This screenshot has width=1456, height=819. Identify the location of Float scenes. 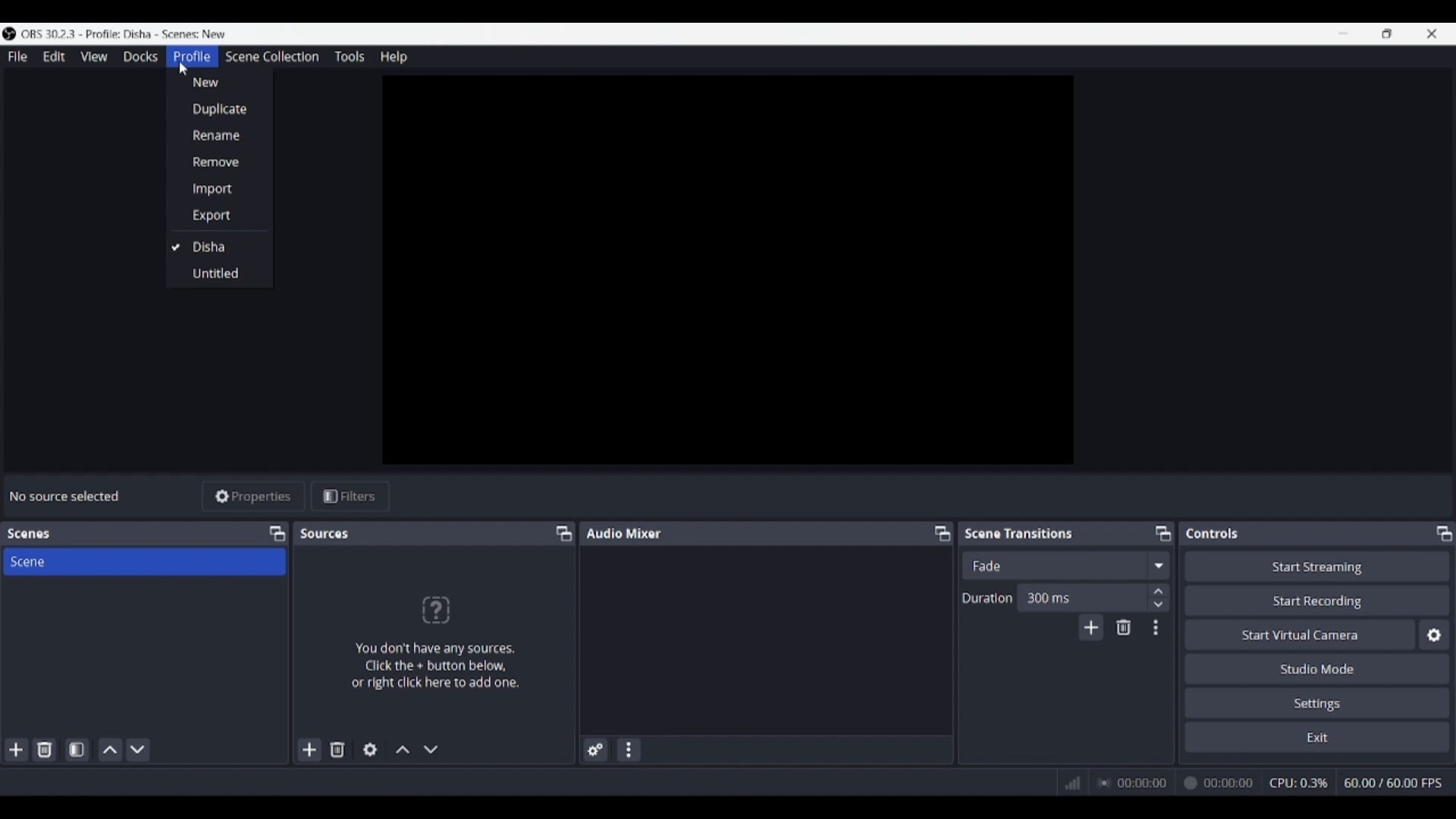
(277, 534).